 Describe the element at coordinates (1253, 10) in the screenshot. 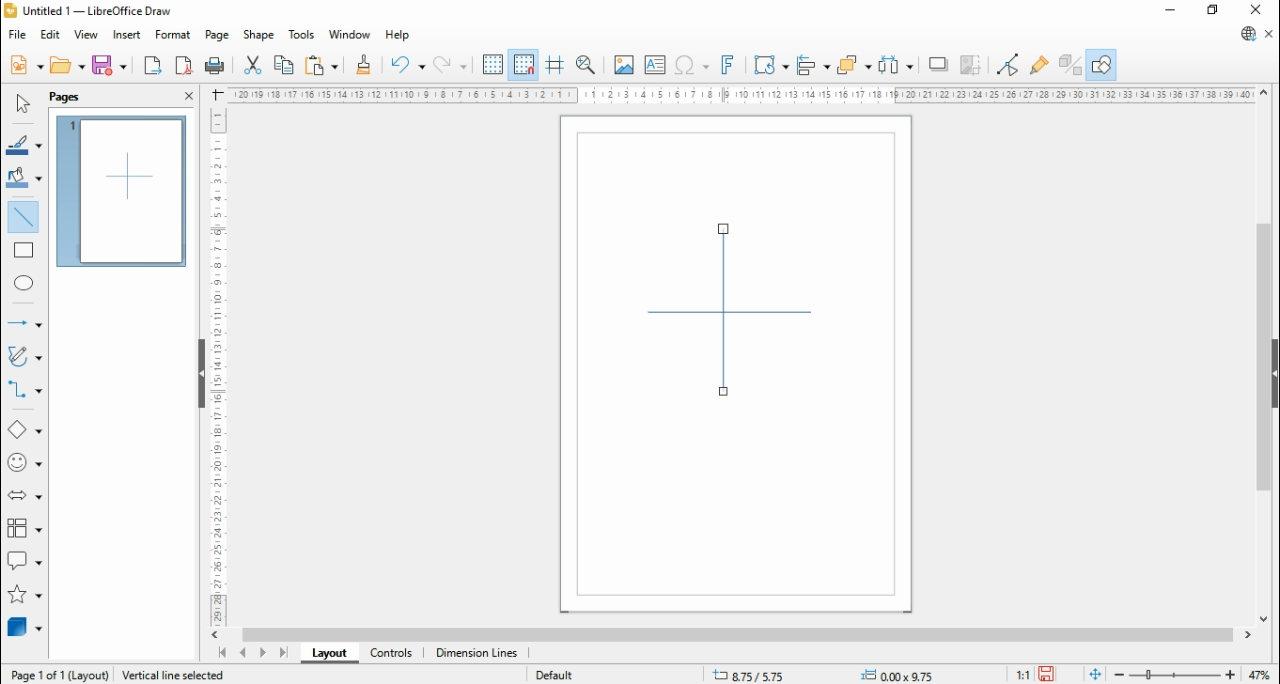

I see `close window` at that location.